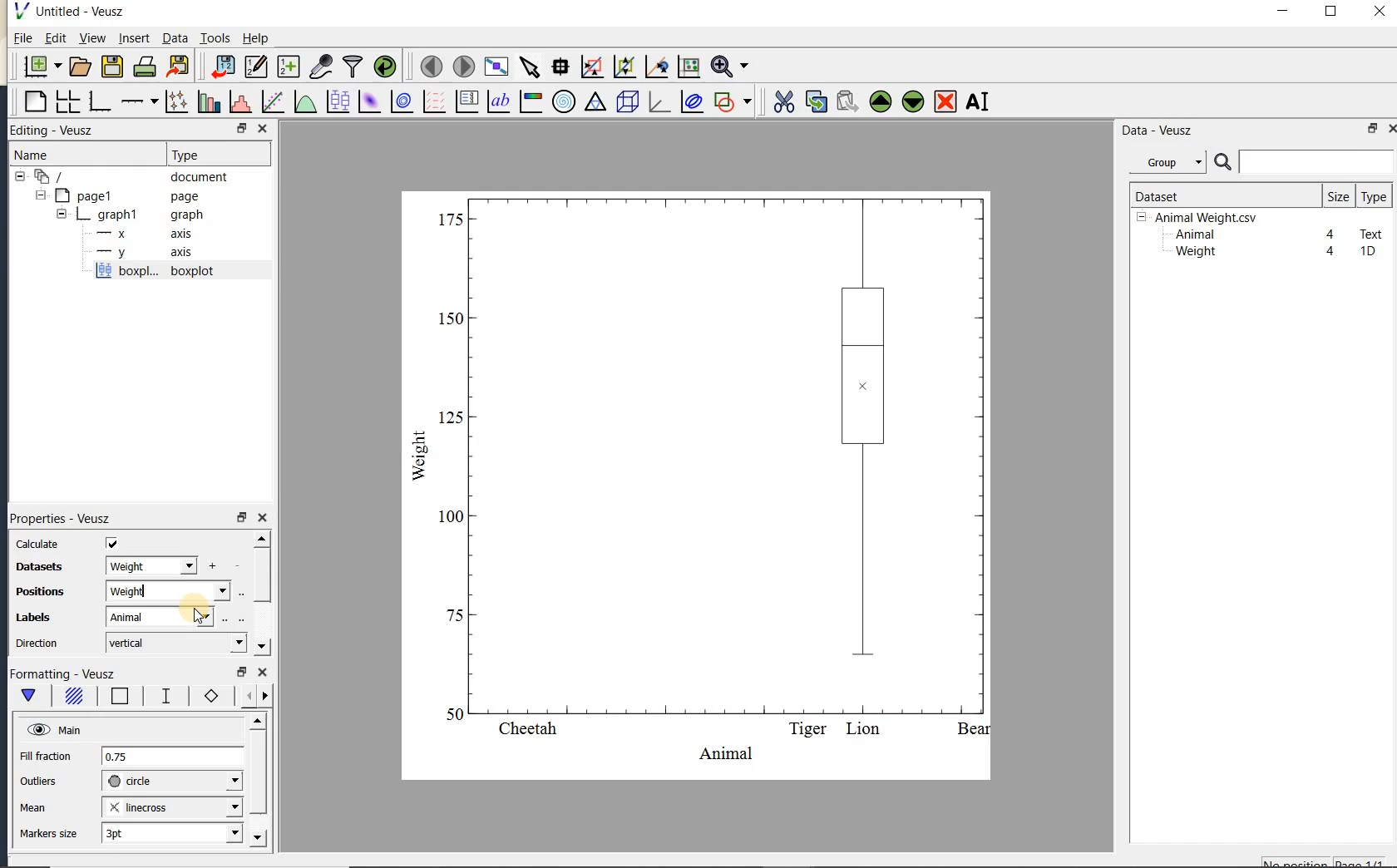 This screenshot has height=868, width=1397. Describe the element at coordinates (944, 103) in the screenshot. I see `remove the selected widget` at that location.